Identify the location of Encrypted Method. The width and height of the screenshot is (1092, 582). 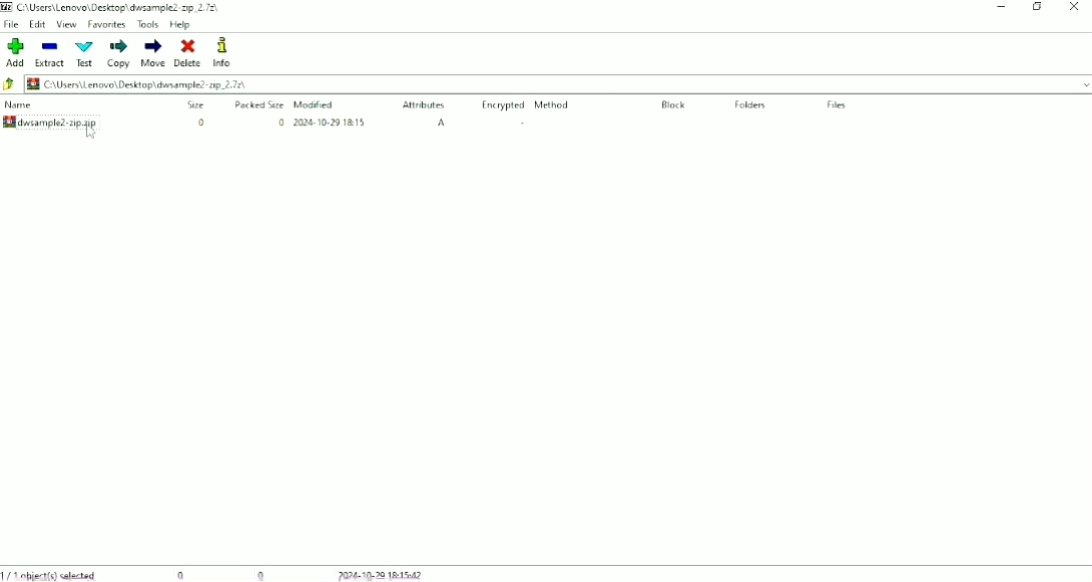
(526, 106).